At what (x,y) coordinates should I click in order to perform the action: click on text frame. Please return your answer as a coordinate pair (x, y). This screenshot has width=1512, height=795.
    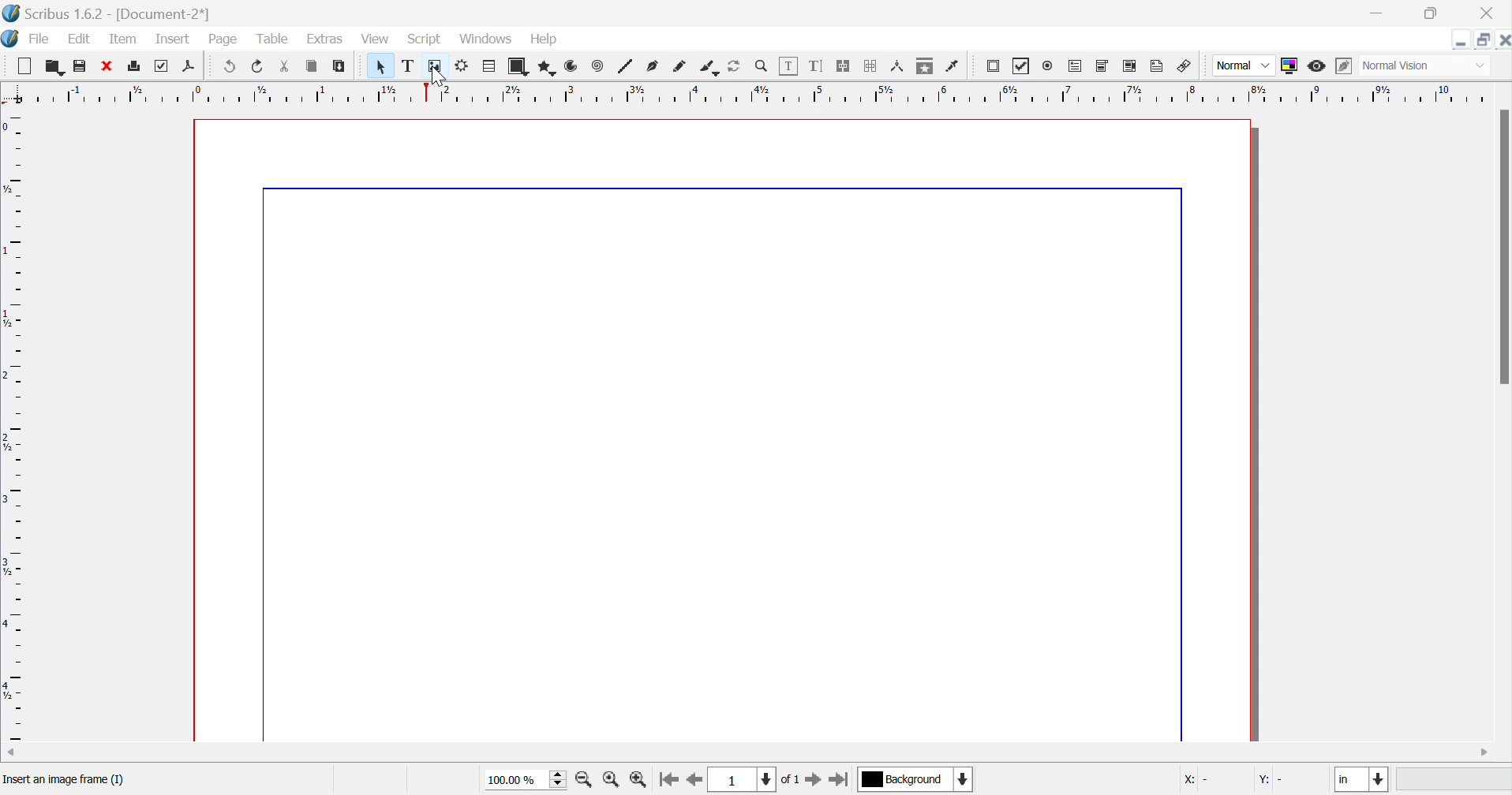
    Looking at the image, I should click on (407, 66).